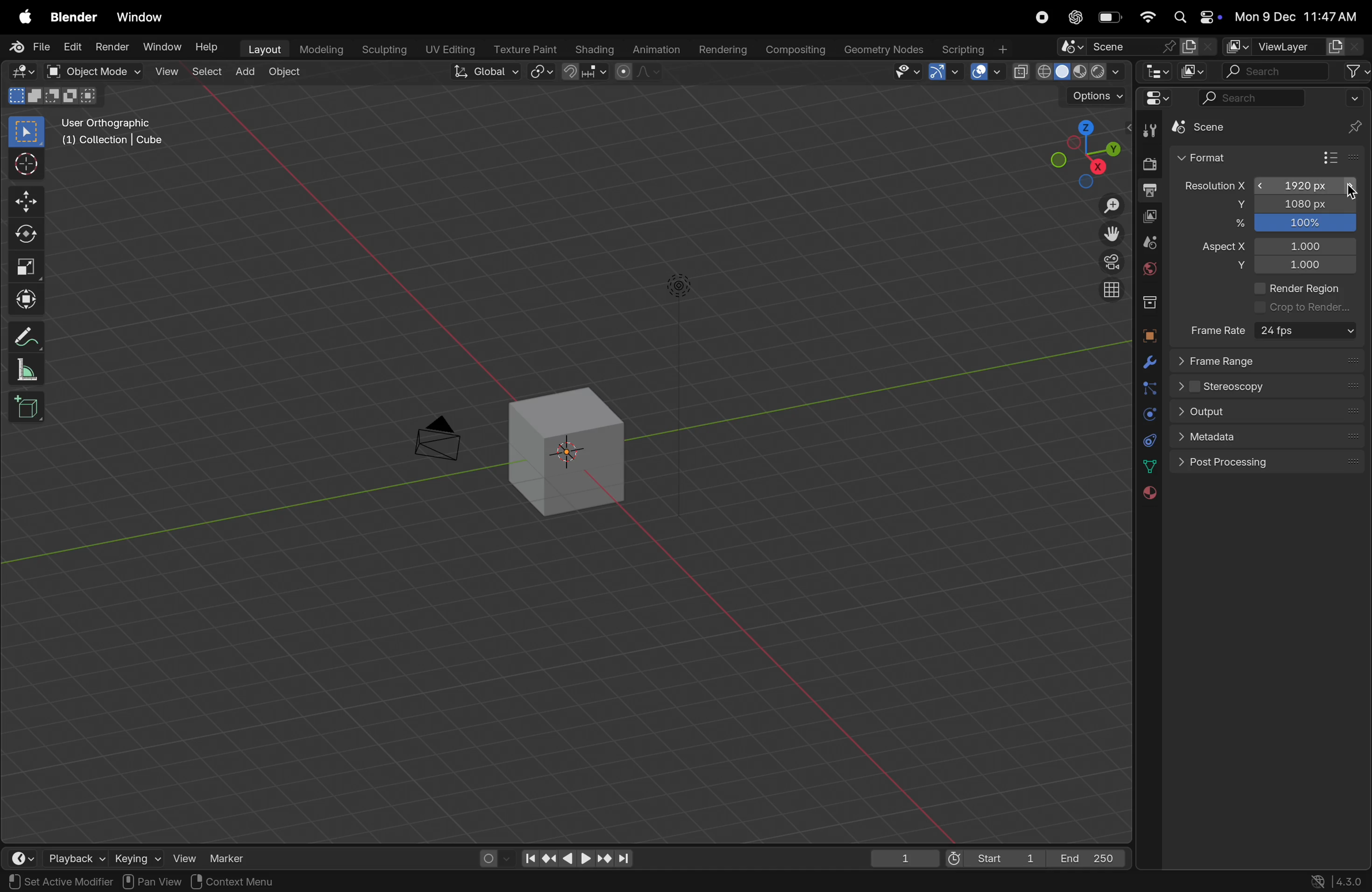 The image size is (1372, 892). What do you see at coordinates (1220, 250) in the screenshot?
I see `Aspect` at bounding box center [1220, 250].